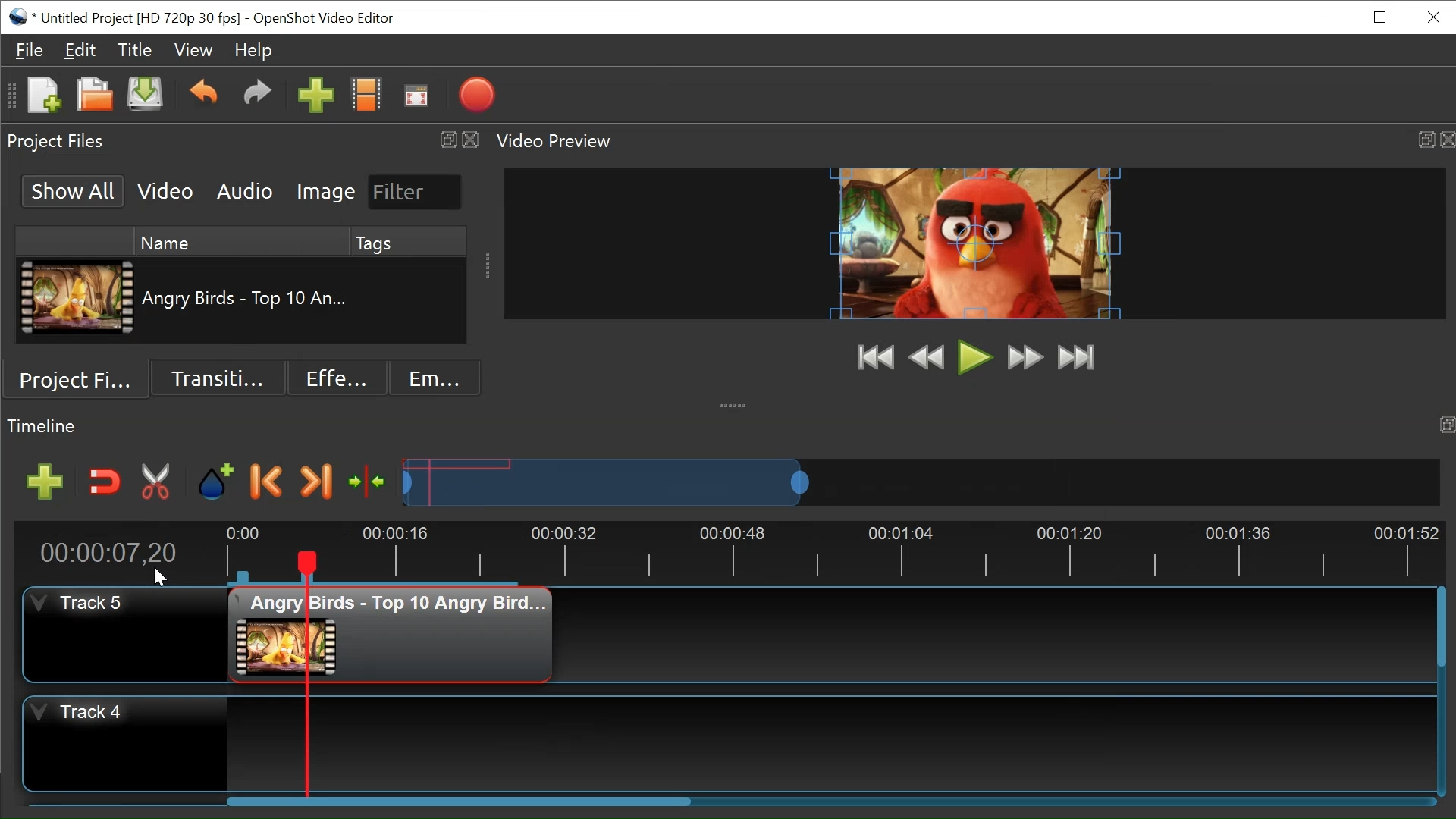 This screenshot has height=819, width=1456. What do you see at coordinates (147, 96) in the screenshot?
I see `Save File` at bounding box center [147, 96].